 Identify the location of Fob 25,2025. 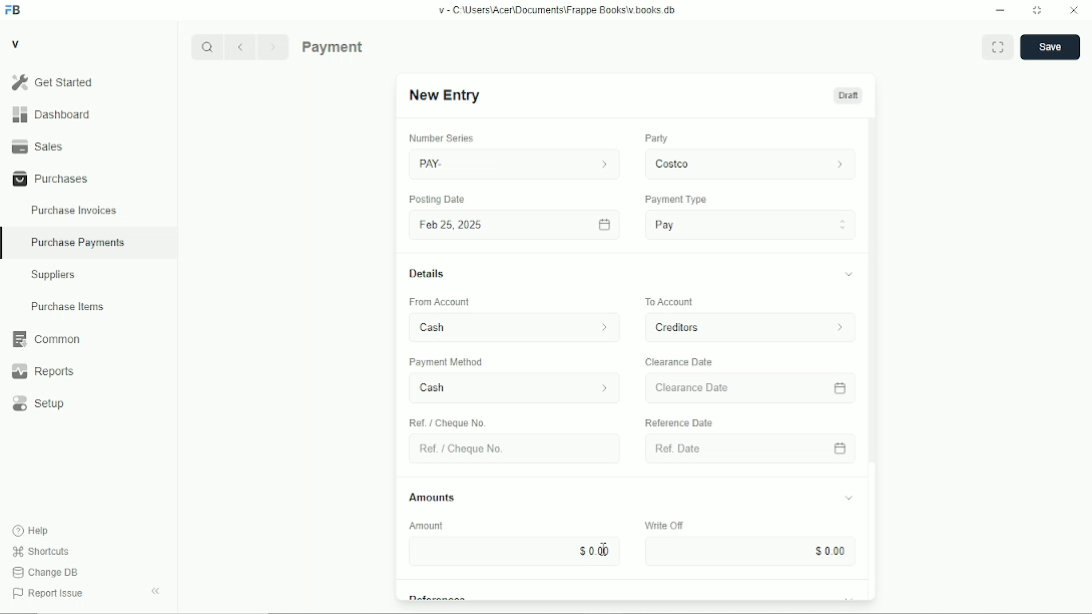
(511, 224).